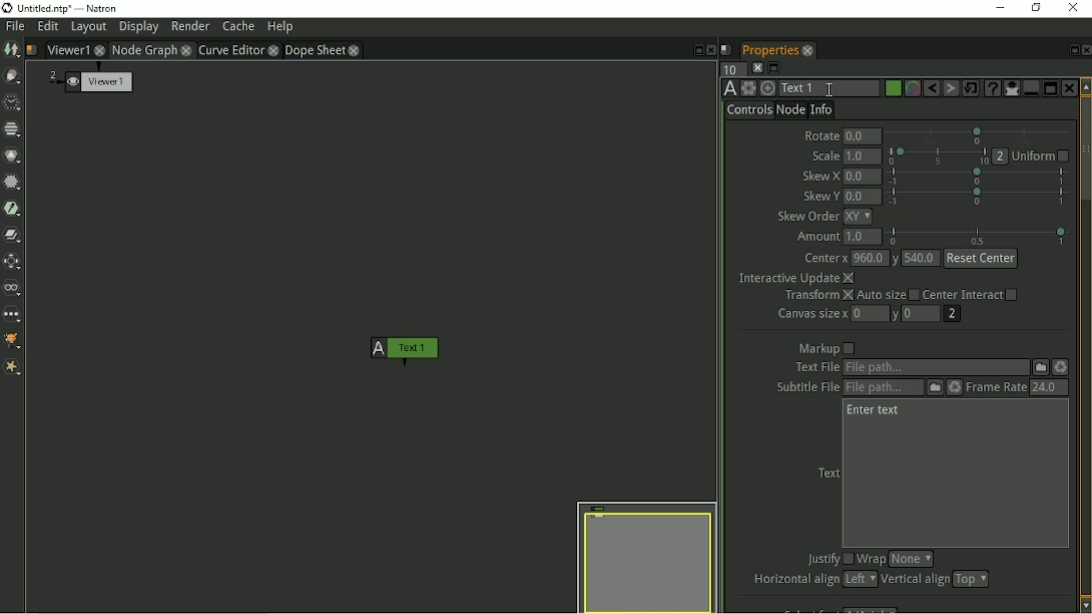 The image size is (1092, 614). What do you see at coordinates (726, 50) in the screenshot?
I see `Script name` at bounding box center [726, 50].